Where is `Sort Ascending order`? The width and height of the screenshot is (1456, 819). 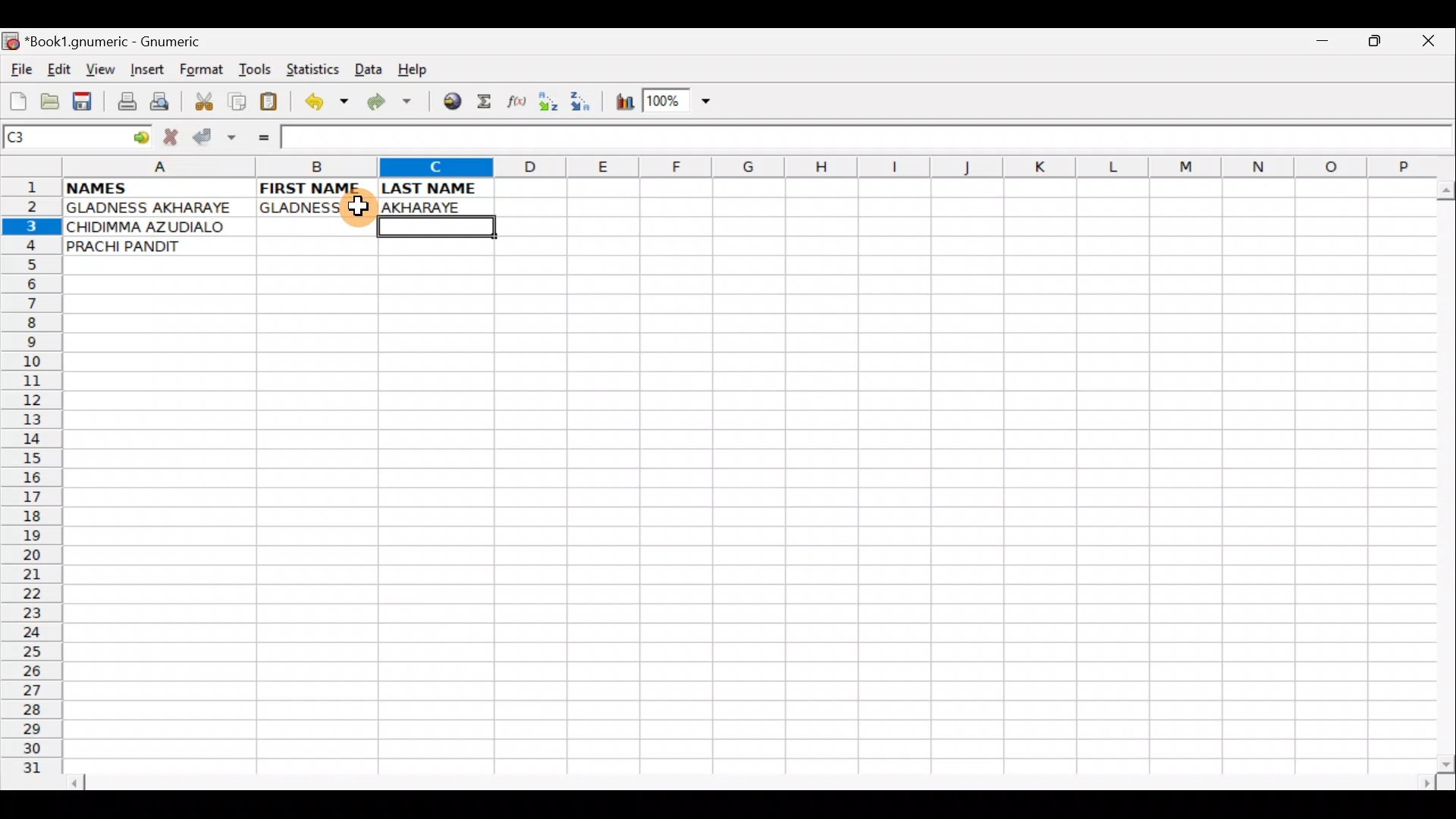
Sort Ascending order is located at coordinates (553, 105).